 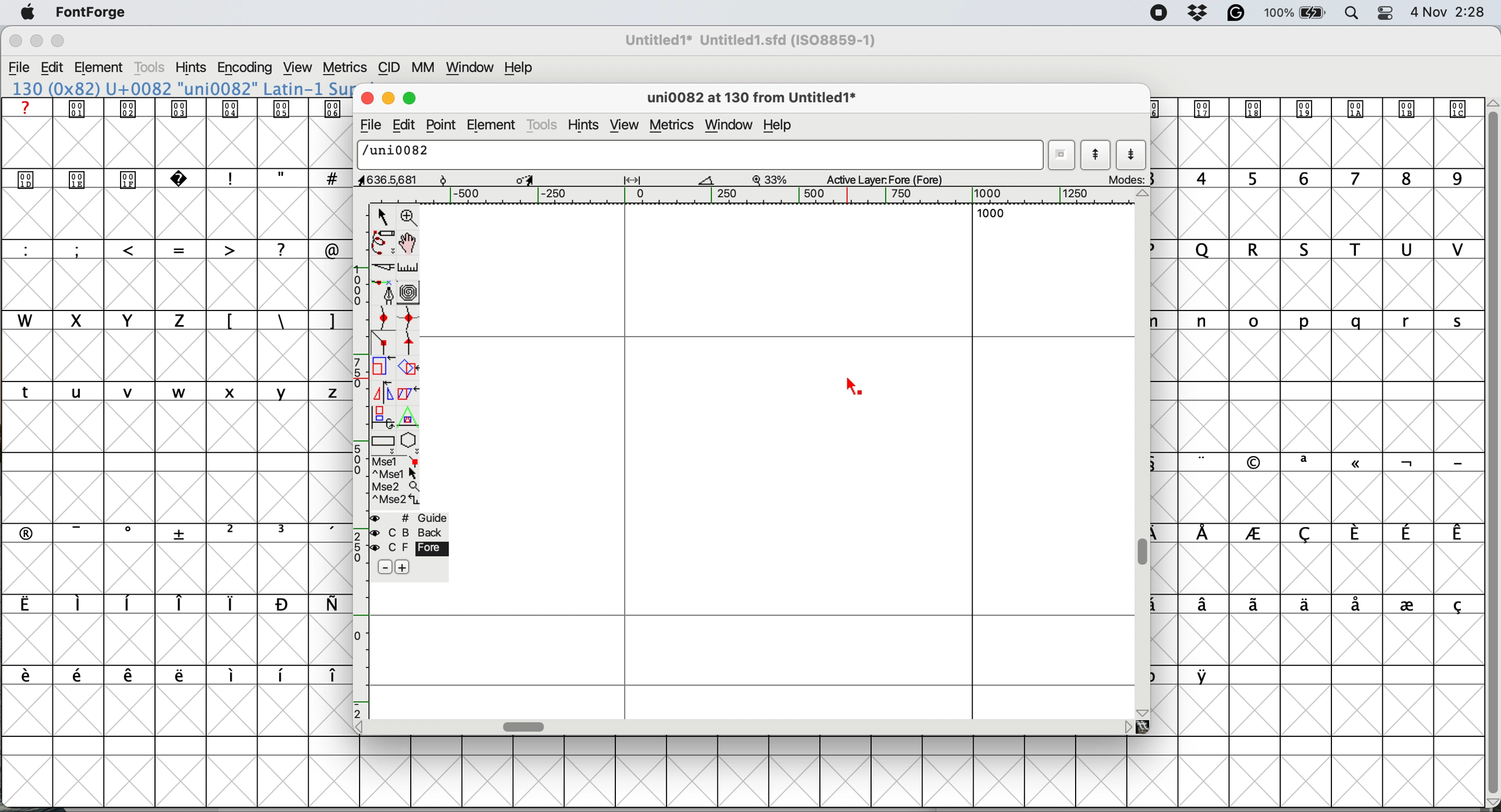 What do you see at coordinates (20, 68) in the screenshot?
I see `file` at bounding box center [20, 68].